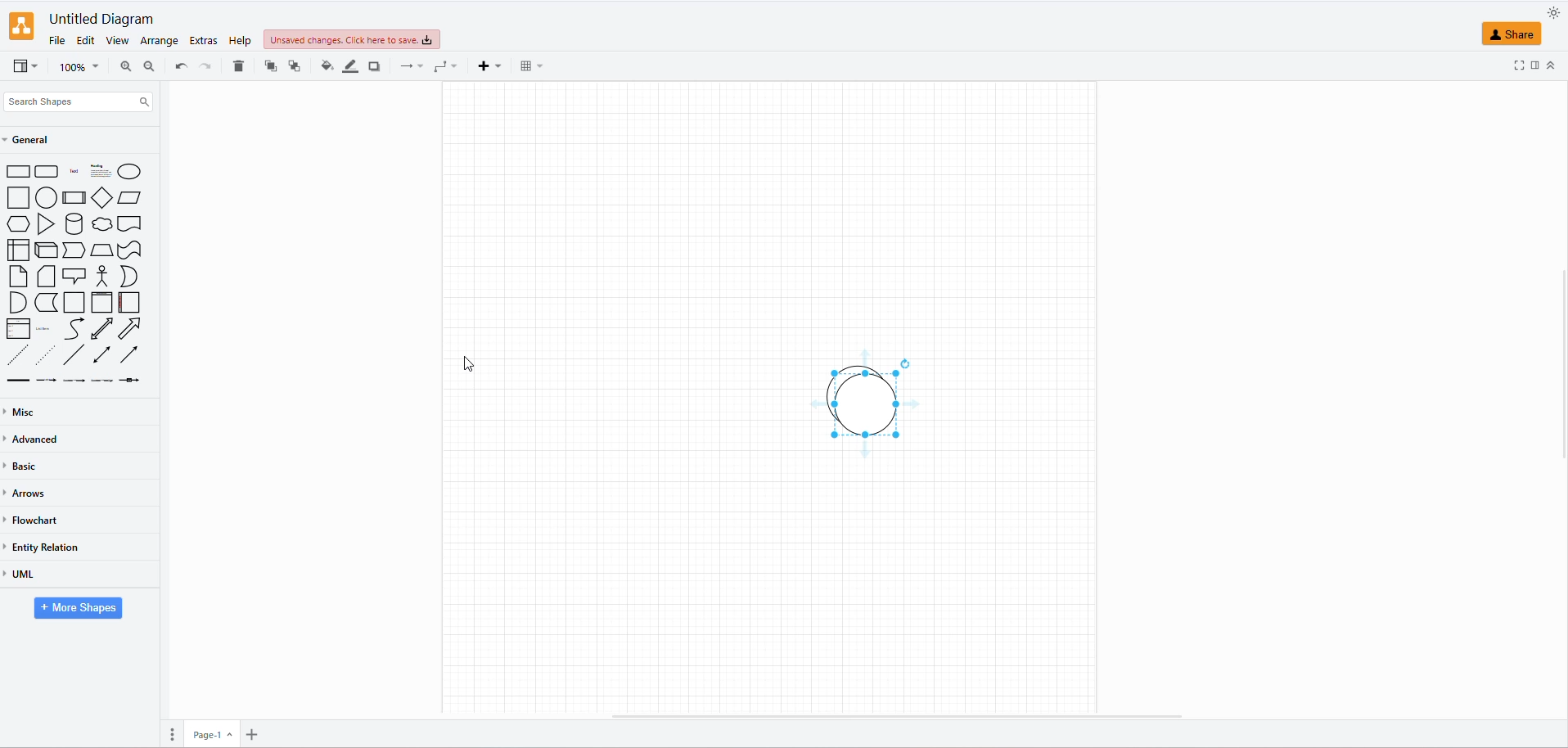 This screenshot has height=748, width=1568. What do you see at coordinates (212, 730) in the screenshot?
I see `PAGE` at bounding box center [212, 730].